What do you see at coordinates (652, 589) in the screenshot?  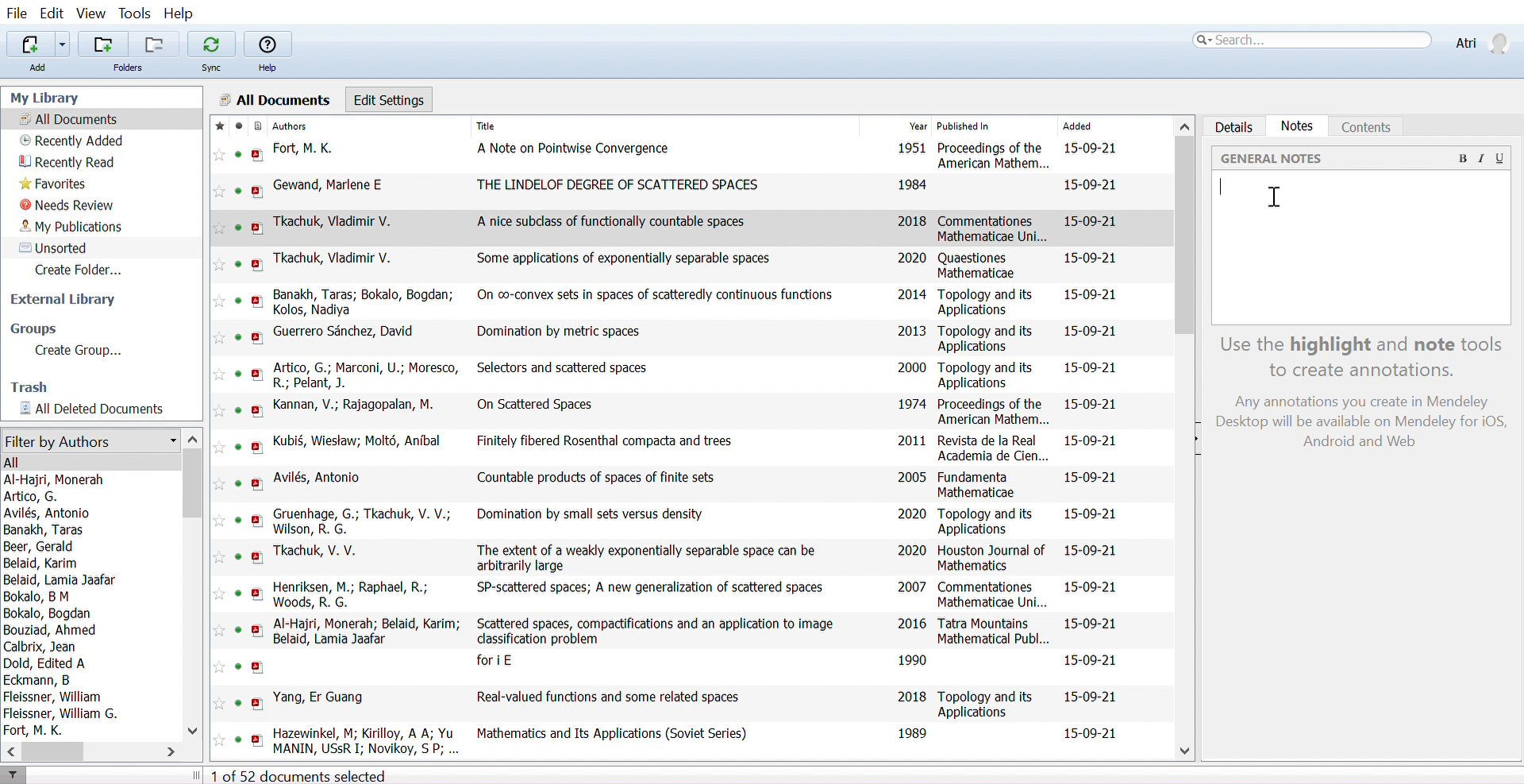 I see `SP-scattered spaces; A new generalization of scattered spaces` at bounding box center [652, 589].